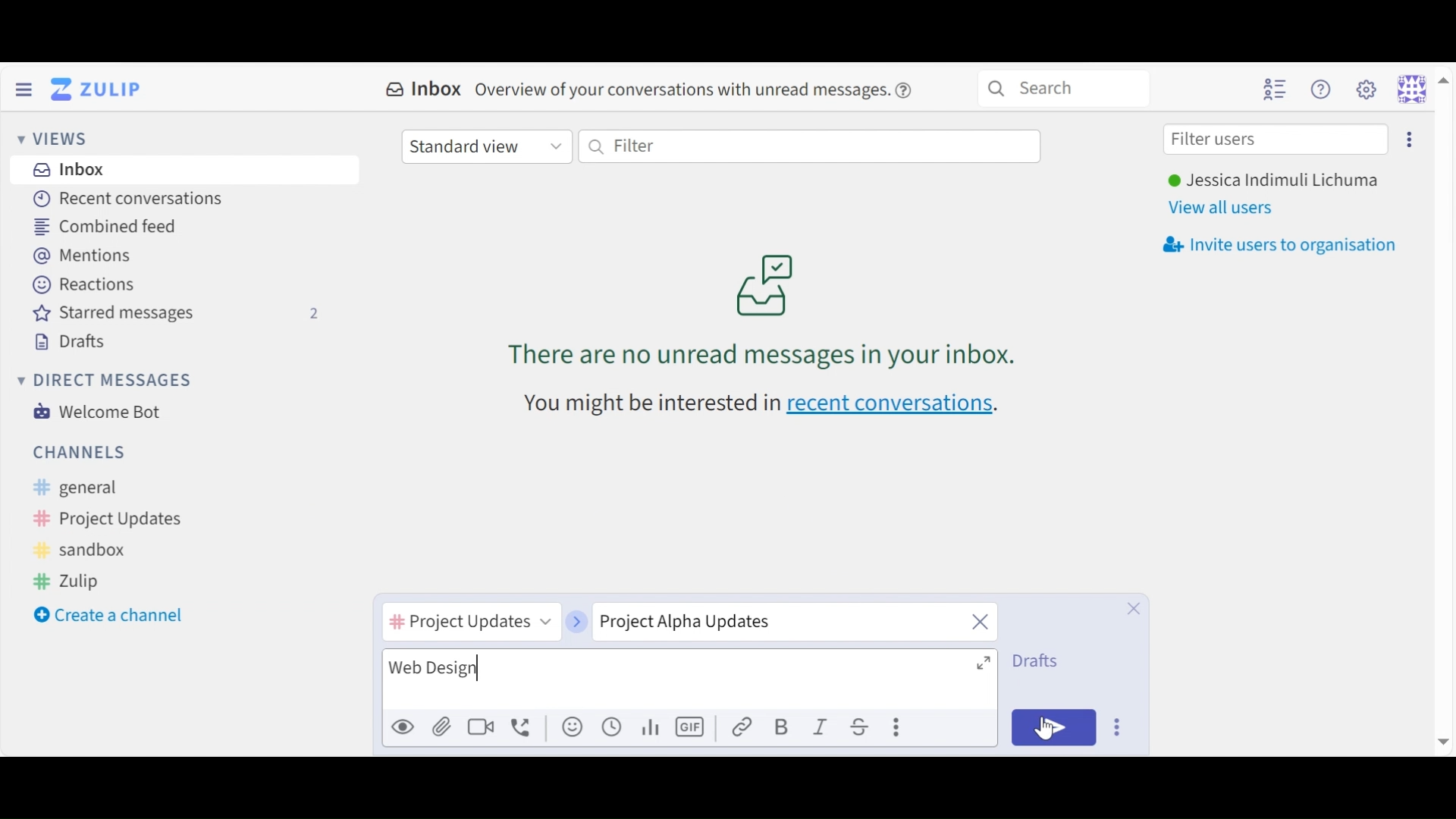 Image resolution: width=1456 pixels, height=819 pixels. What do you see at coordinates (102, 412) in the screenshot?
I see `Welcome Bot` at bounding box center [102, 412].